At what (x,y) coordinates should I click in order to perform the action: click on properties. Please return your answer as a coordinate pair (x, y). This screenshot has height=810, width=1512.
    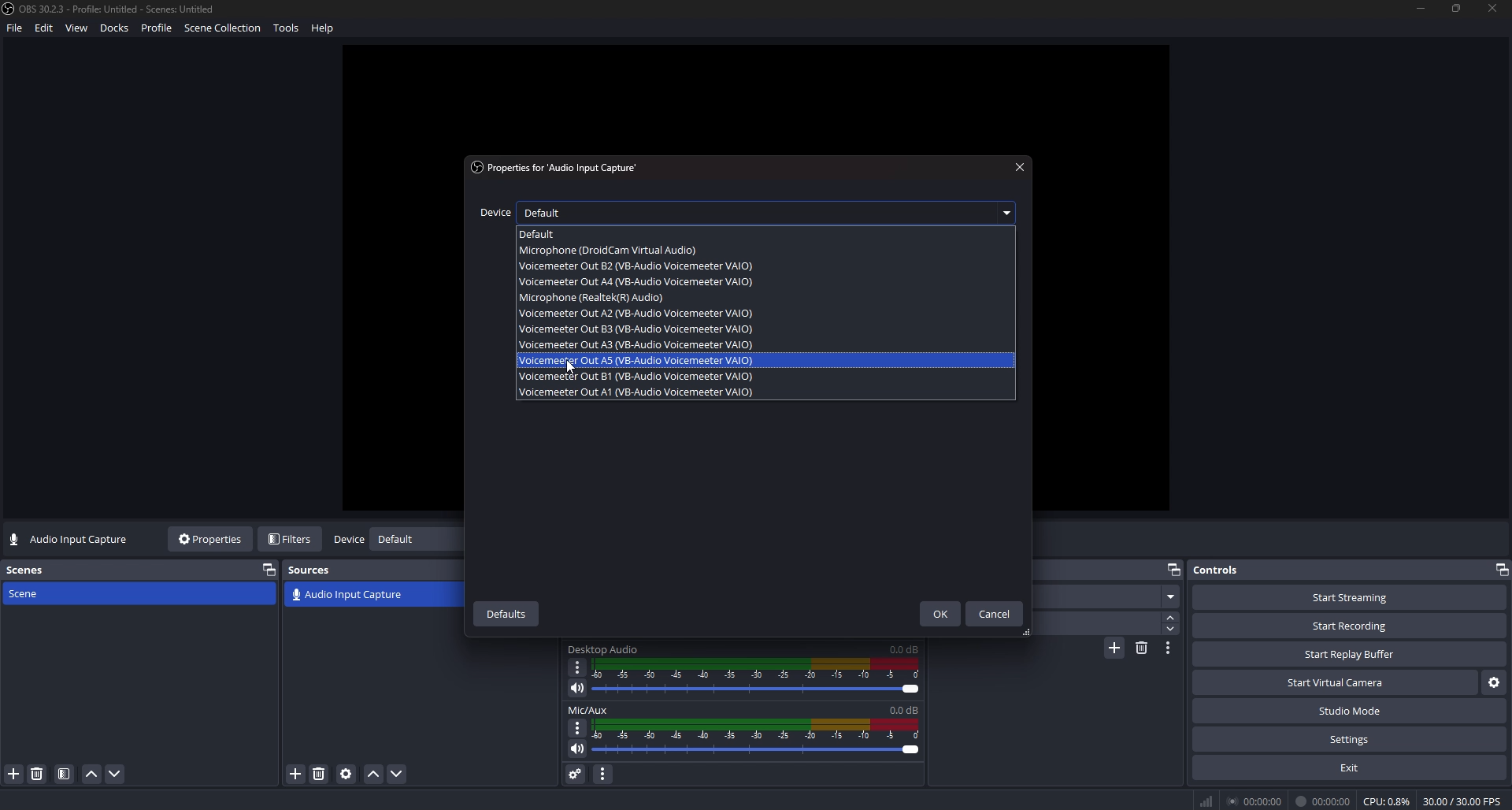
    Looking at the image, I should click on (561, 168).